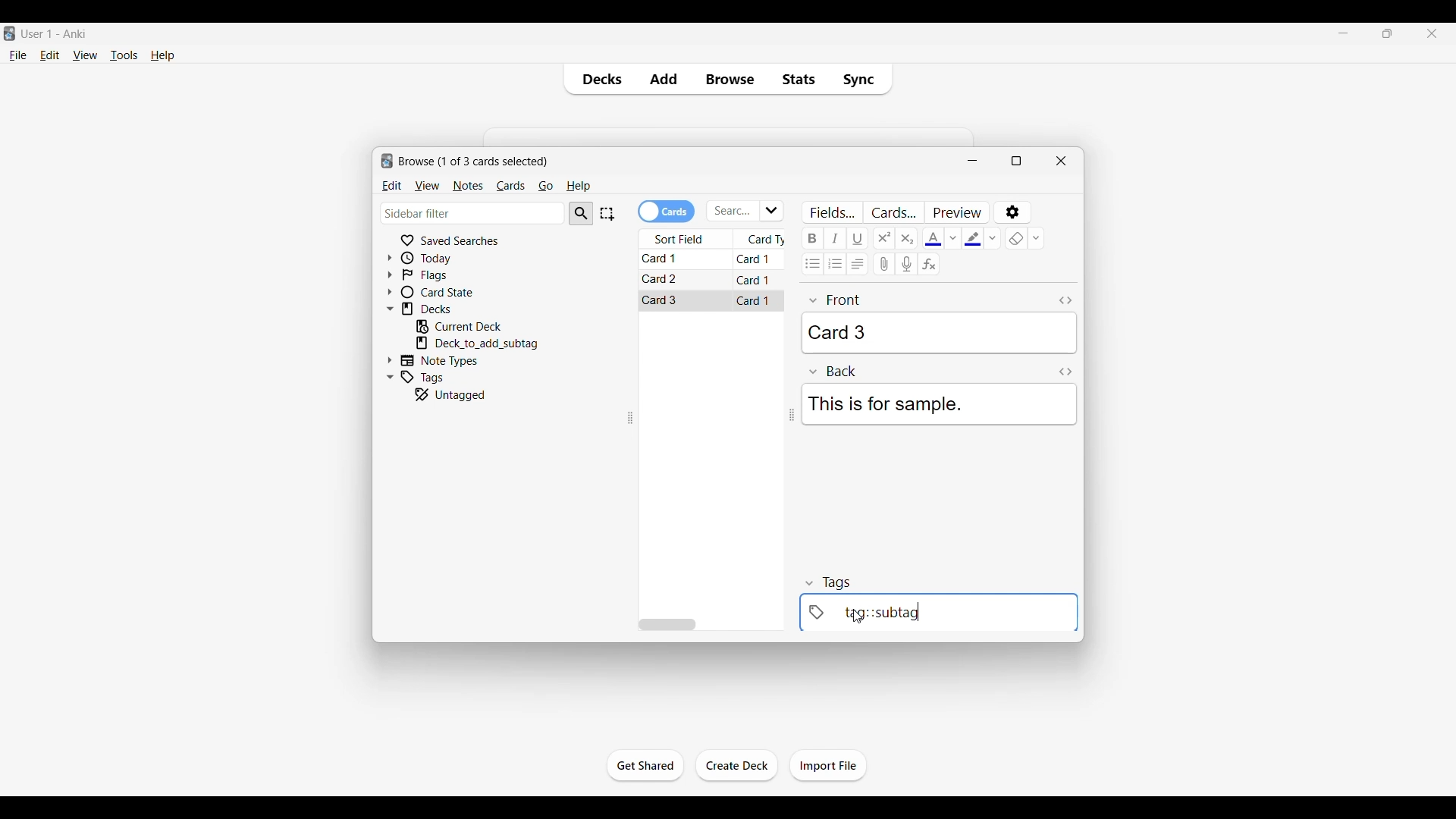 Image resolution: width=1456 pixels, height=819 pixels. Describe the element at coordinates (827, 582) in the screenshot. I see `tags` at that location.